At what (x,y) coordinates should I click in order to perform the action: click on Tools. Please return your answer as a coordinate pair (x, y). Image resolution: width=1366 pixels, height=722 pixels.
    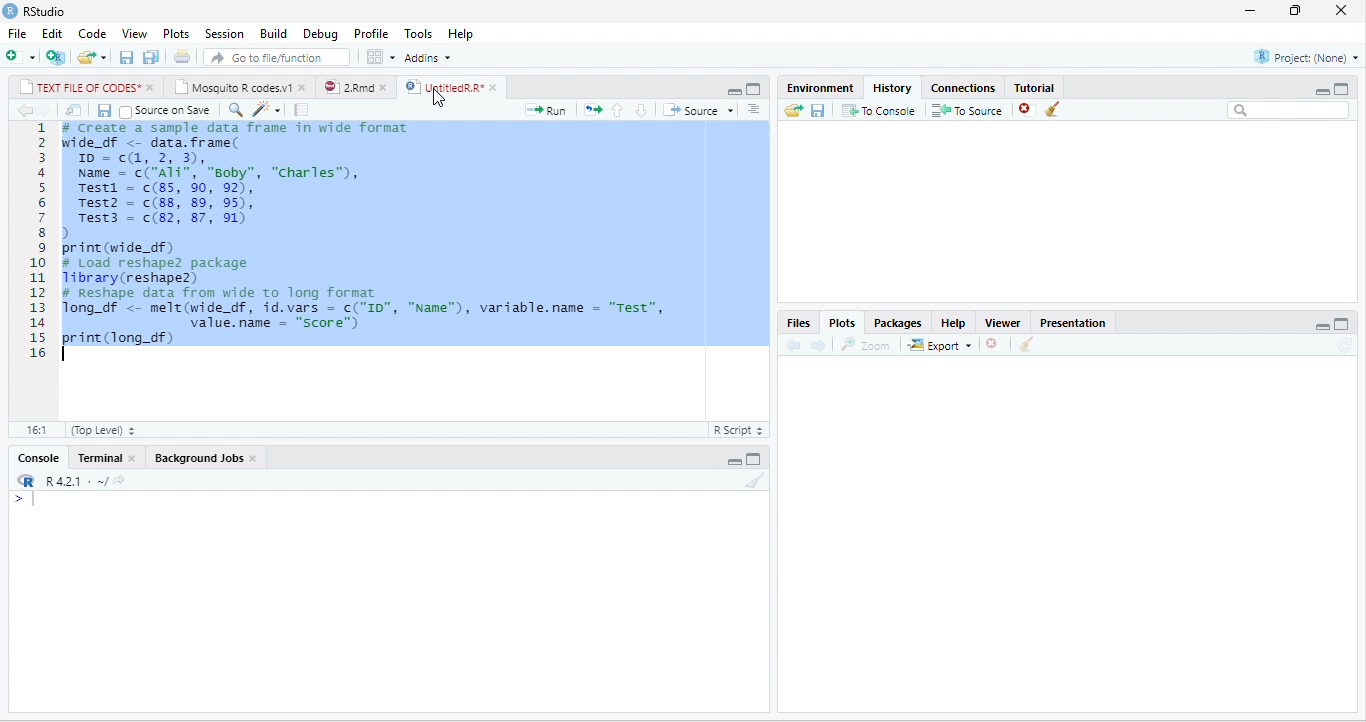
    Looking at the image, I should click on (419, 35).